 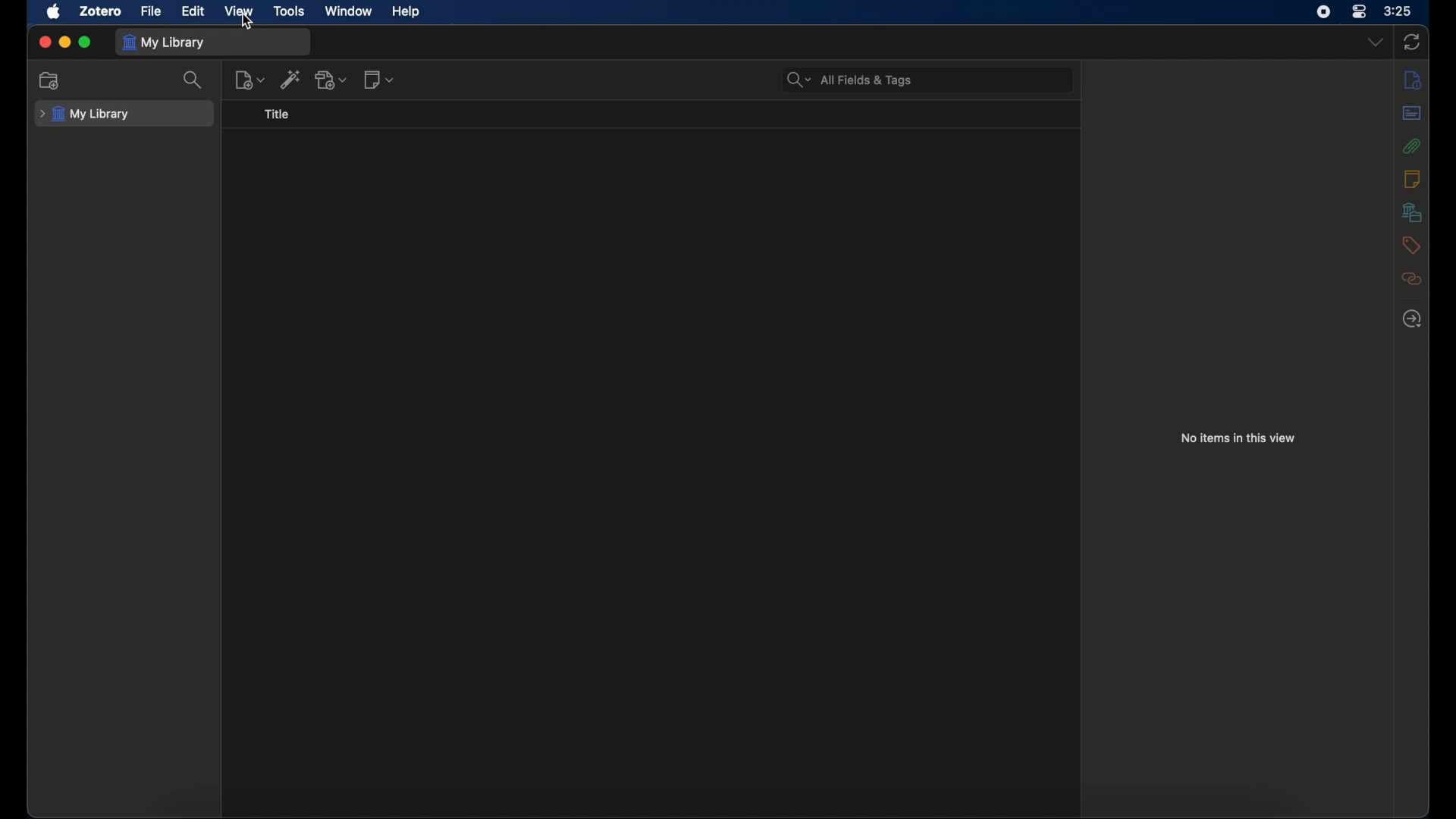 I want to click on related, so click(x=1414, y=278).